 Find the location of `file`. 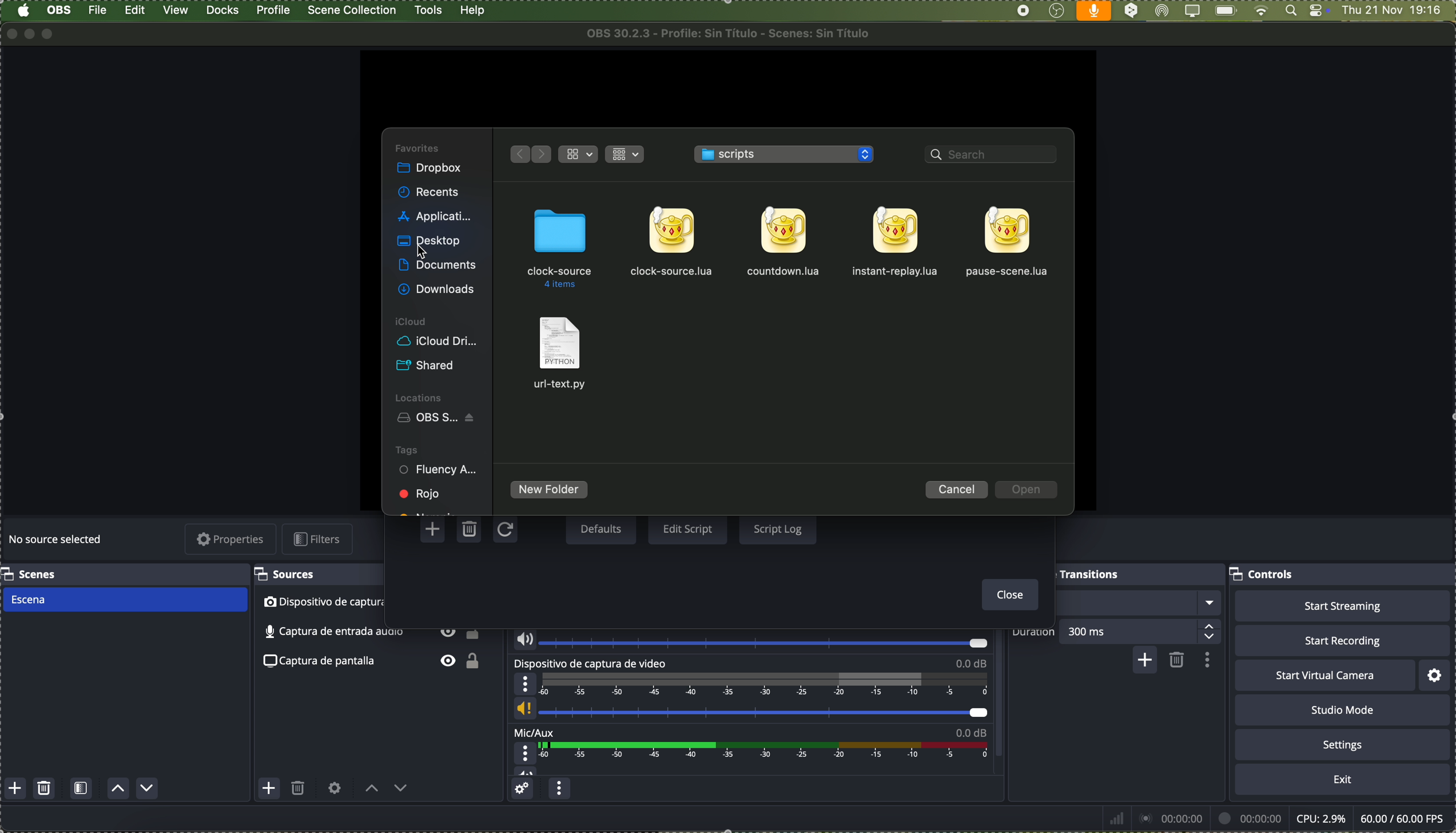

file is located at coordinates (99, 10).